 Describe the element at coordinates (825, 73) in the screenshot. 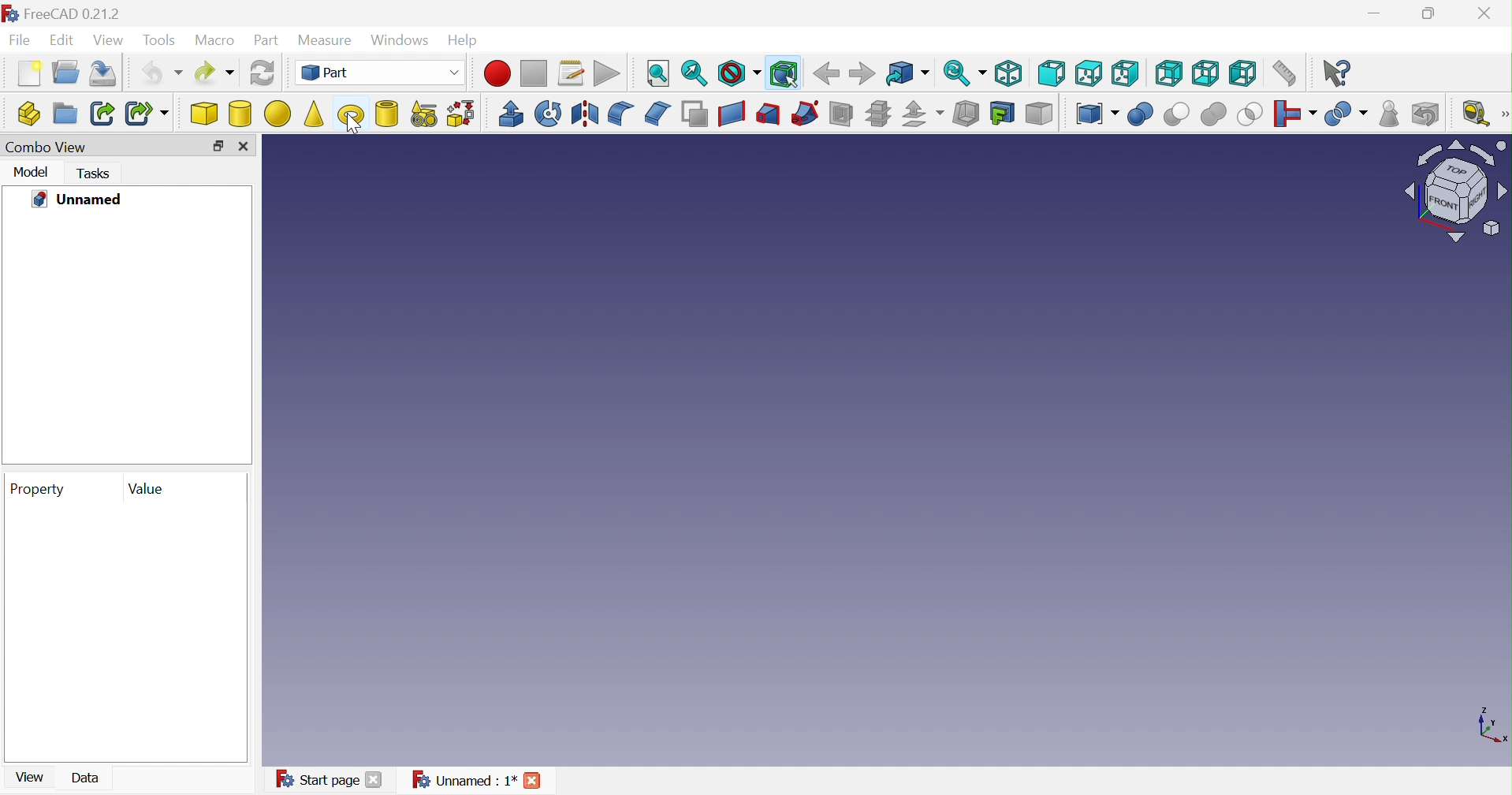

I see `Back` at that location.